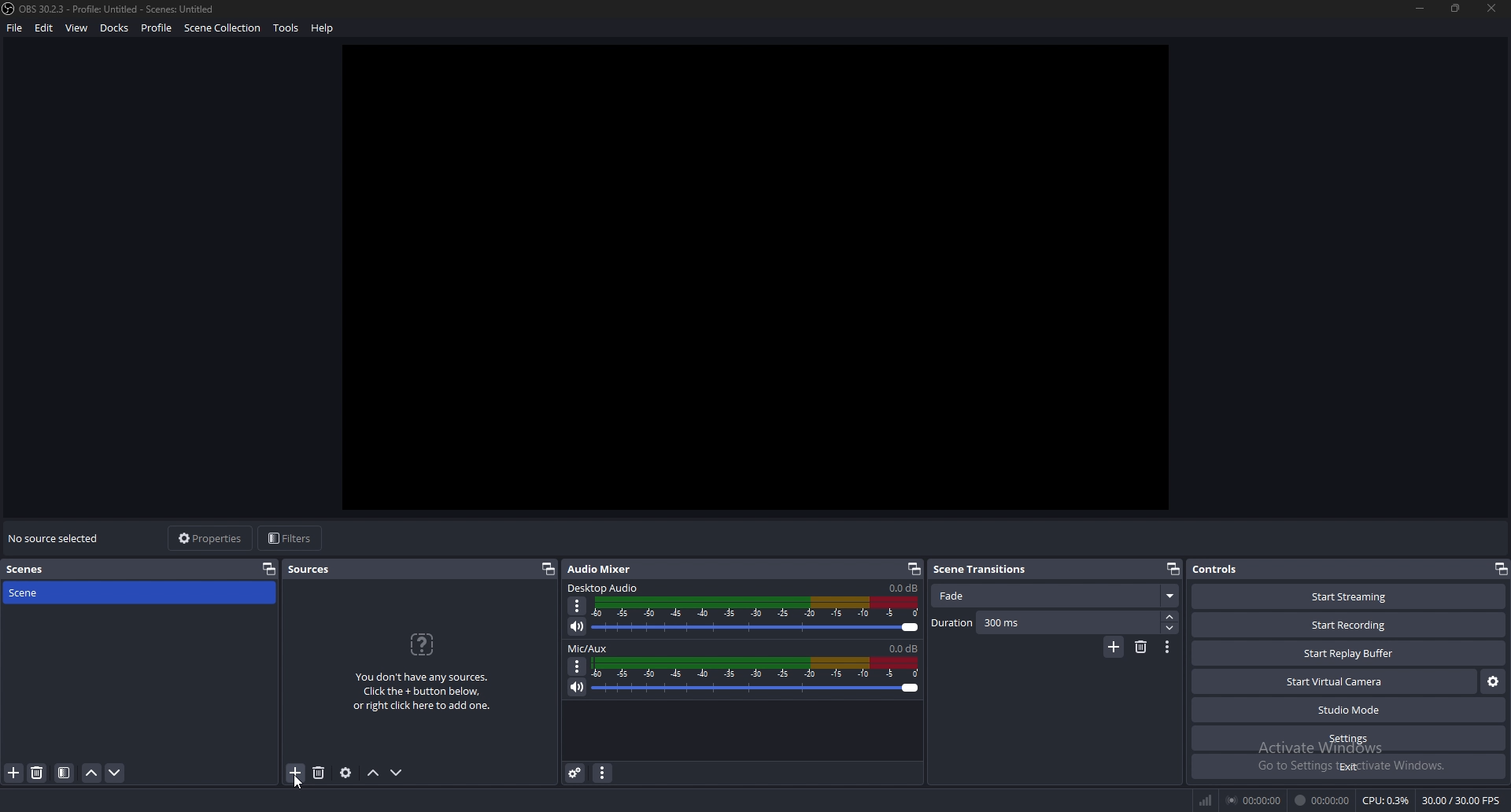  Describe the element at coordinates (602, 773) in the screenshot. I see `audio mixer menu` at that location.